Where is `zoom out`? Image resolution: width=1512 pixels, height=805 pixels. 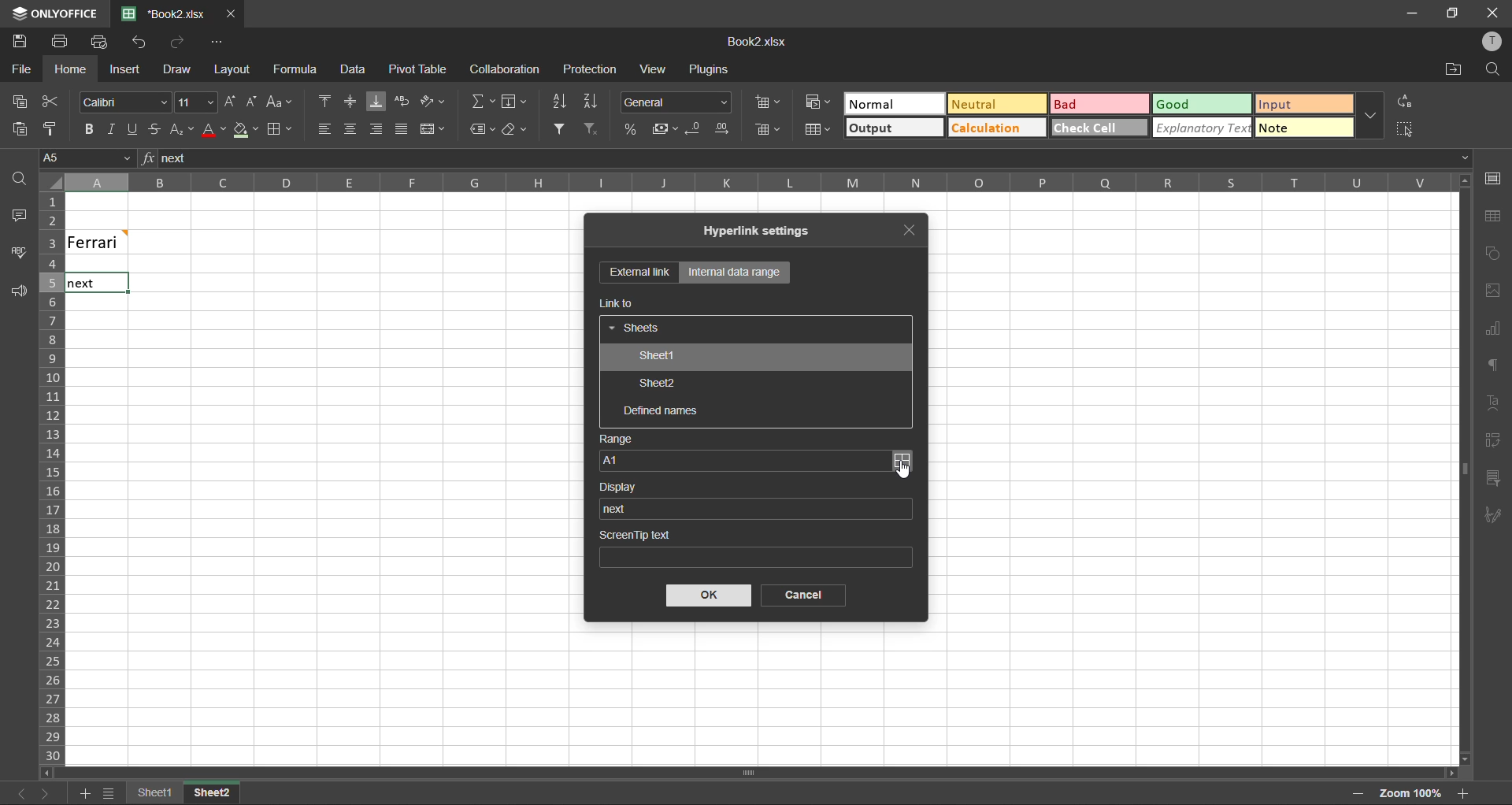
zoom out is located at coordinates (1357, 798).